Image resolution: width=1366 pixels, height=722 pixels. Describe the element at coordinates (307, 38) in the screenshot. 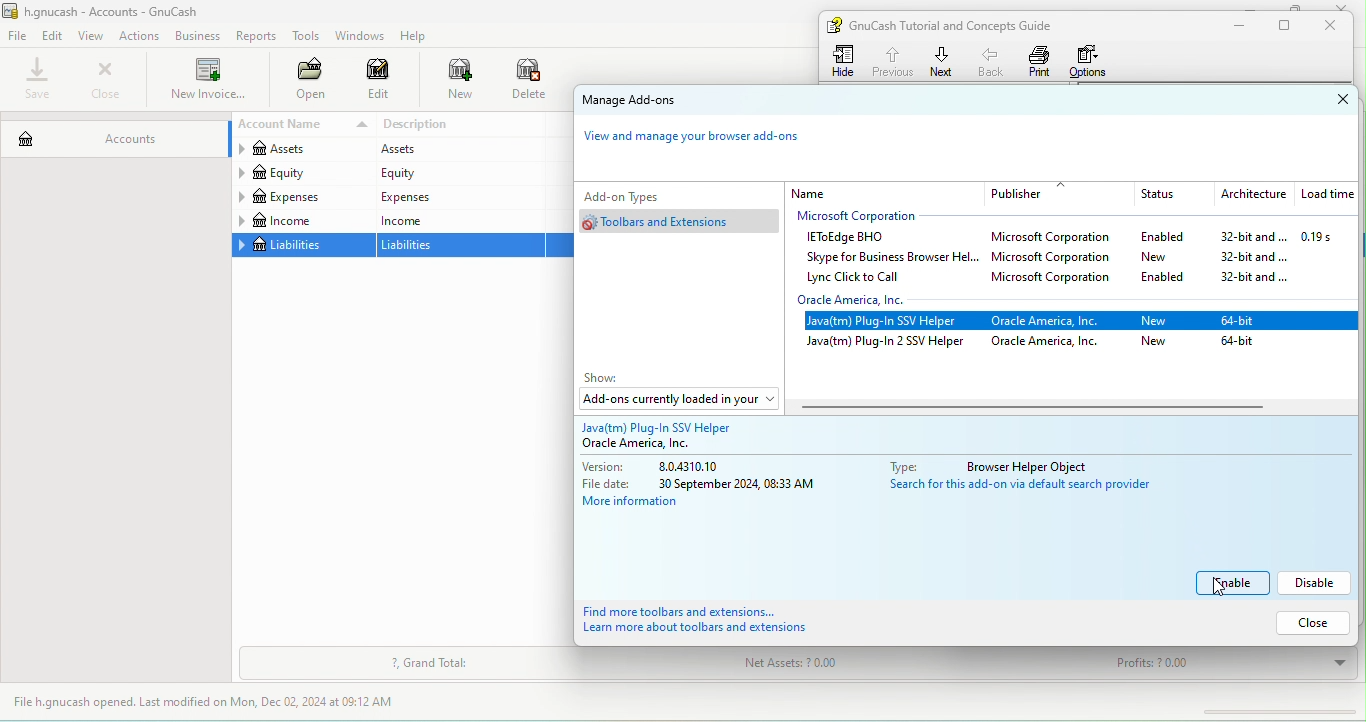

I see `tools` at that location.